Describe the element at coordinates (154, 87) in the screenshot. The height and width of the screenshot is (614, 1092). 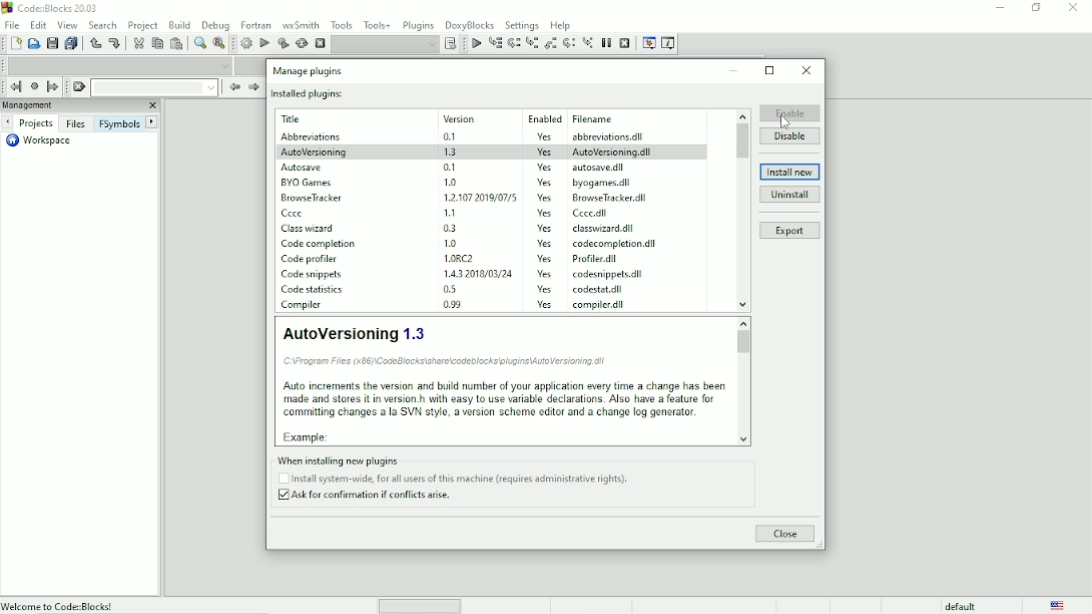
I see `Drop down` at that location.